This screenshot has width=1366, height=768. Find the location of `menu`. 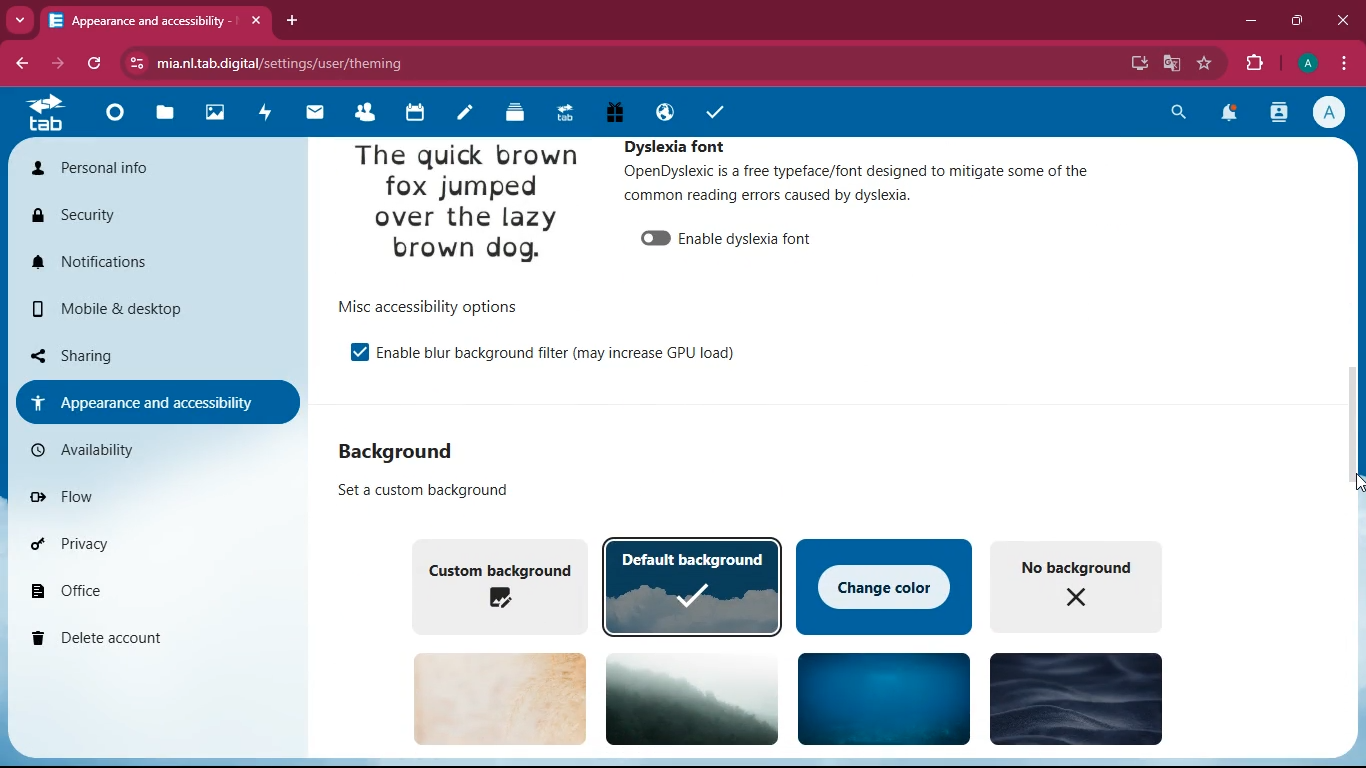

menu is located at coordinates (1343, 61).